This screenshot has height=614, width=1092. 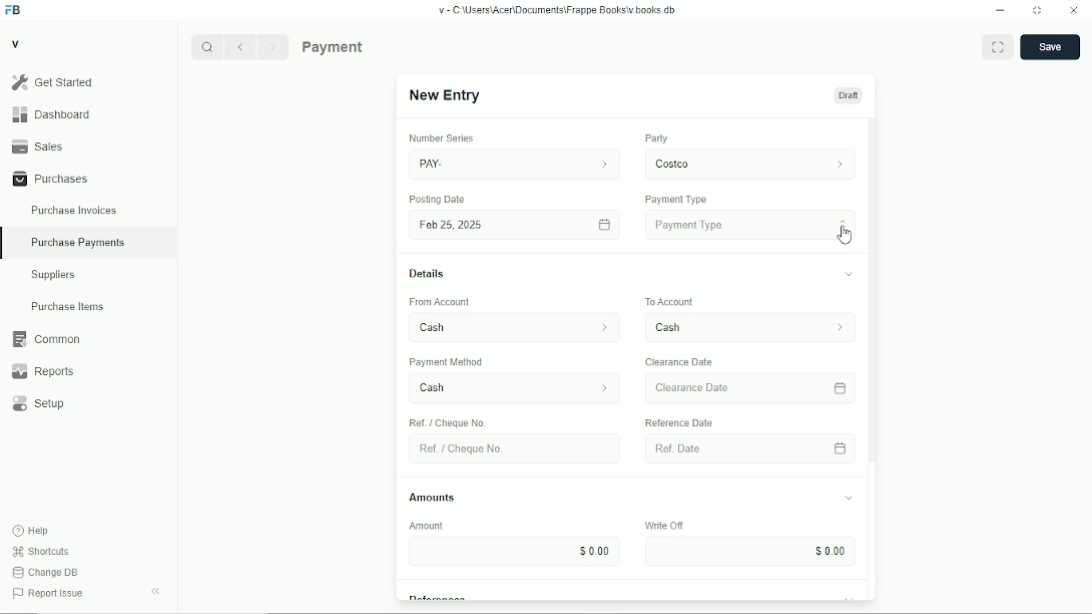 I want to click on Change dimension, so click(x=1037, y=10).